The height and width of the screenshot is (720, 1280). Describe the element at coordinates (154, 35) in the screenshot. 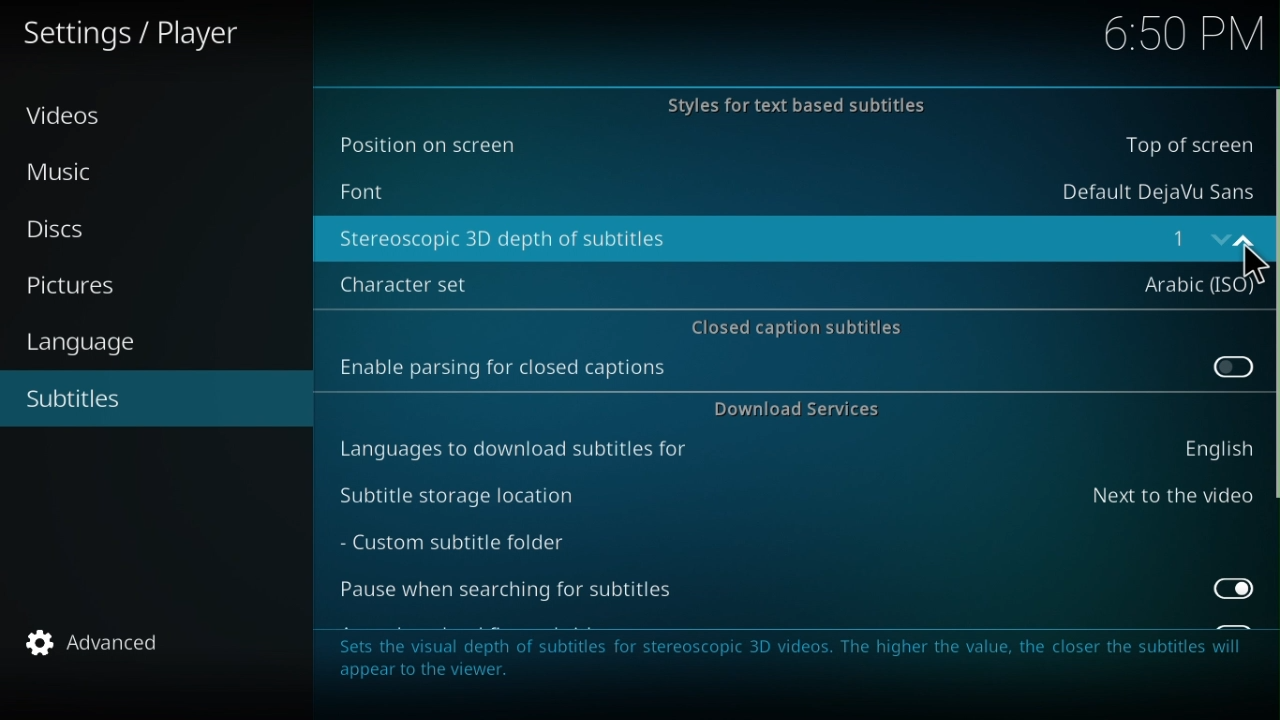

I see `Settings/player` at that location.